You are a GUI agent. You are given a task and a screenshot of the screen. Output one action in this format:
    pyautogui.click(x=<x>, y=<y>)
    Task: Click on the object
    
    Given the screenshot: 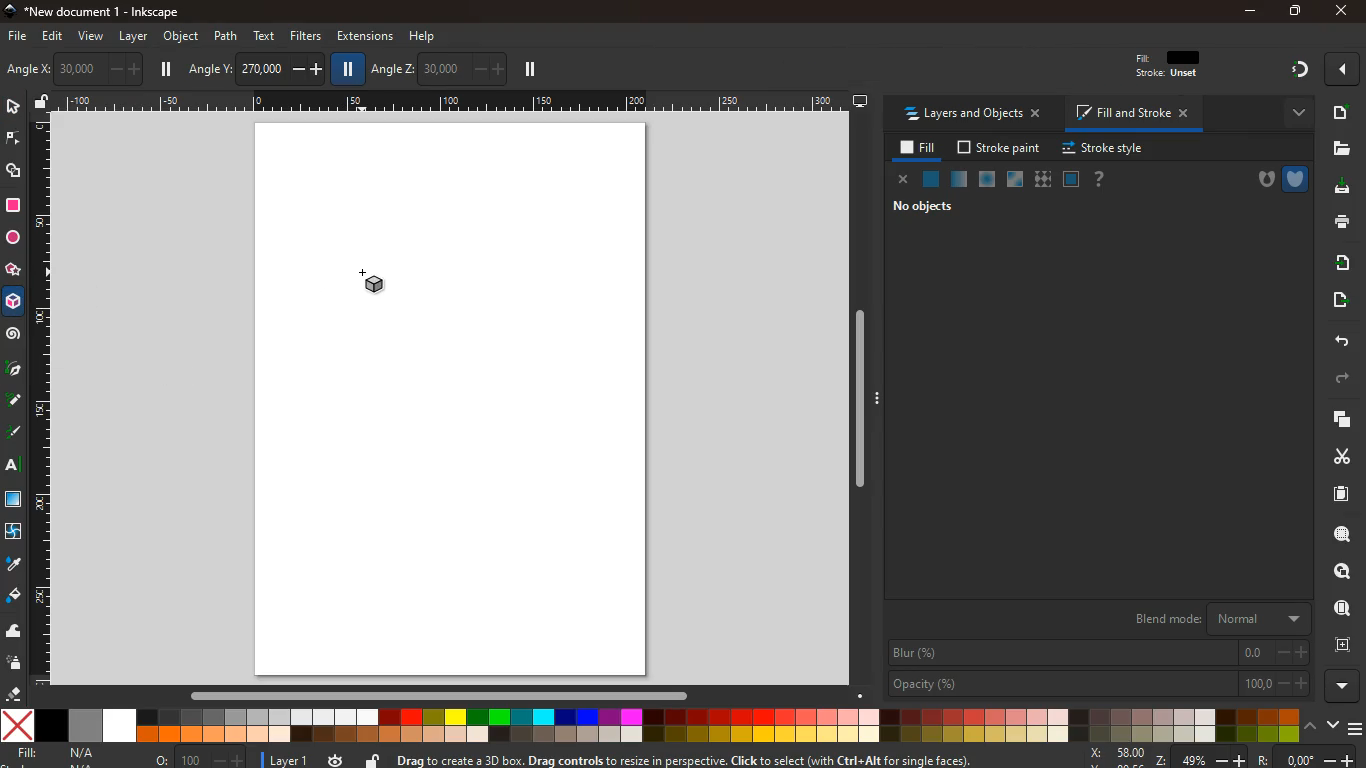 What is the action you would take?
    pyautogui.click(x=181, y=36)
    